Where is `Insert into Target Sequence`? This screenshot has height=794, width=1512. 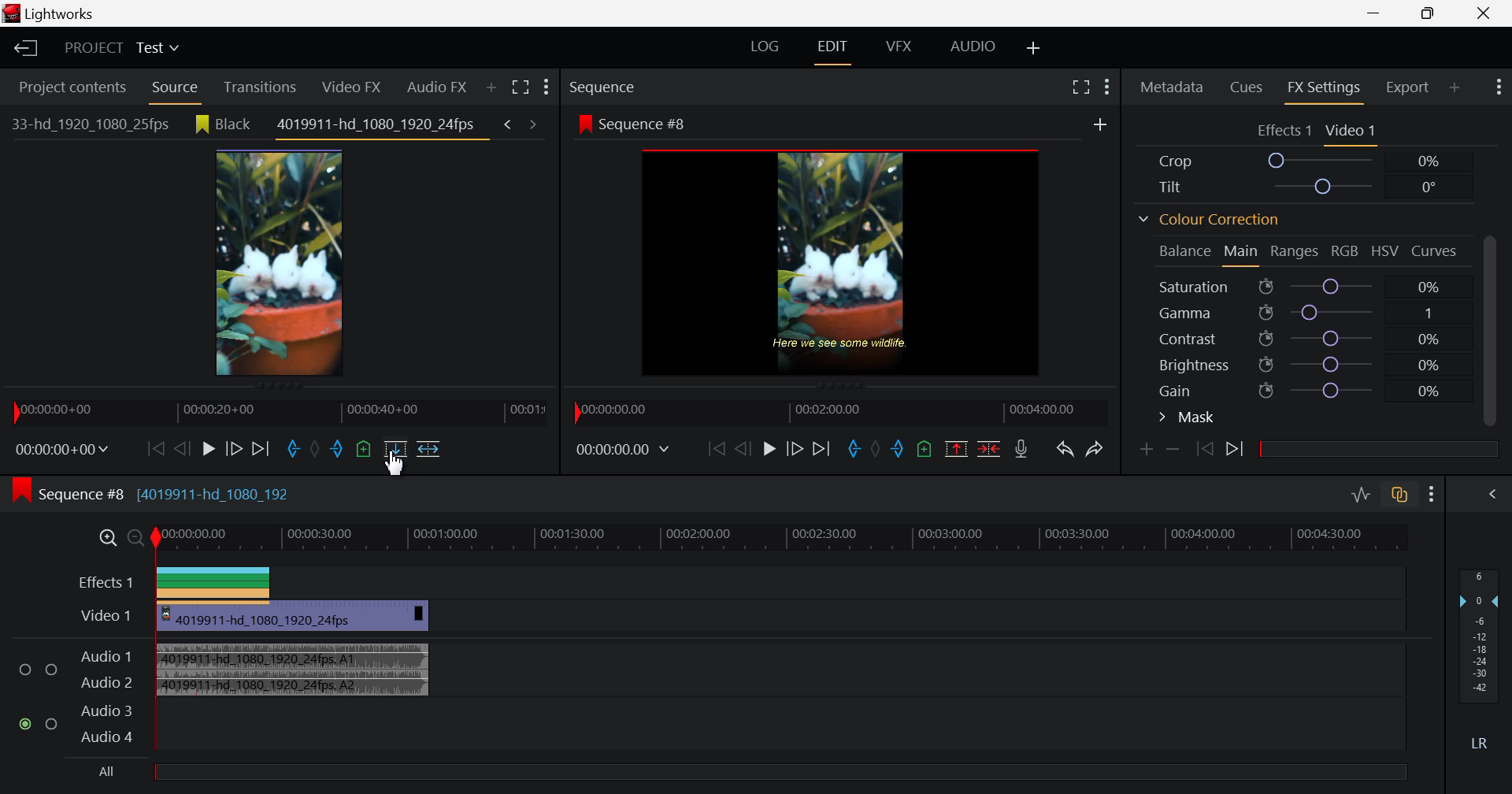
Insert into Target Sequence is located at coordinates (427, 448).